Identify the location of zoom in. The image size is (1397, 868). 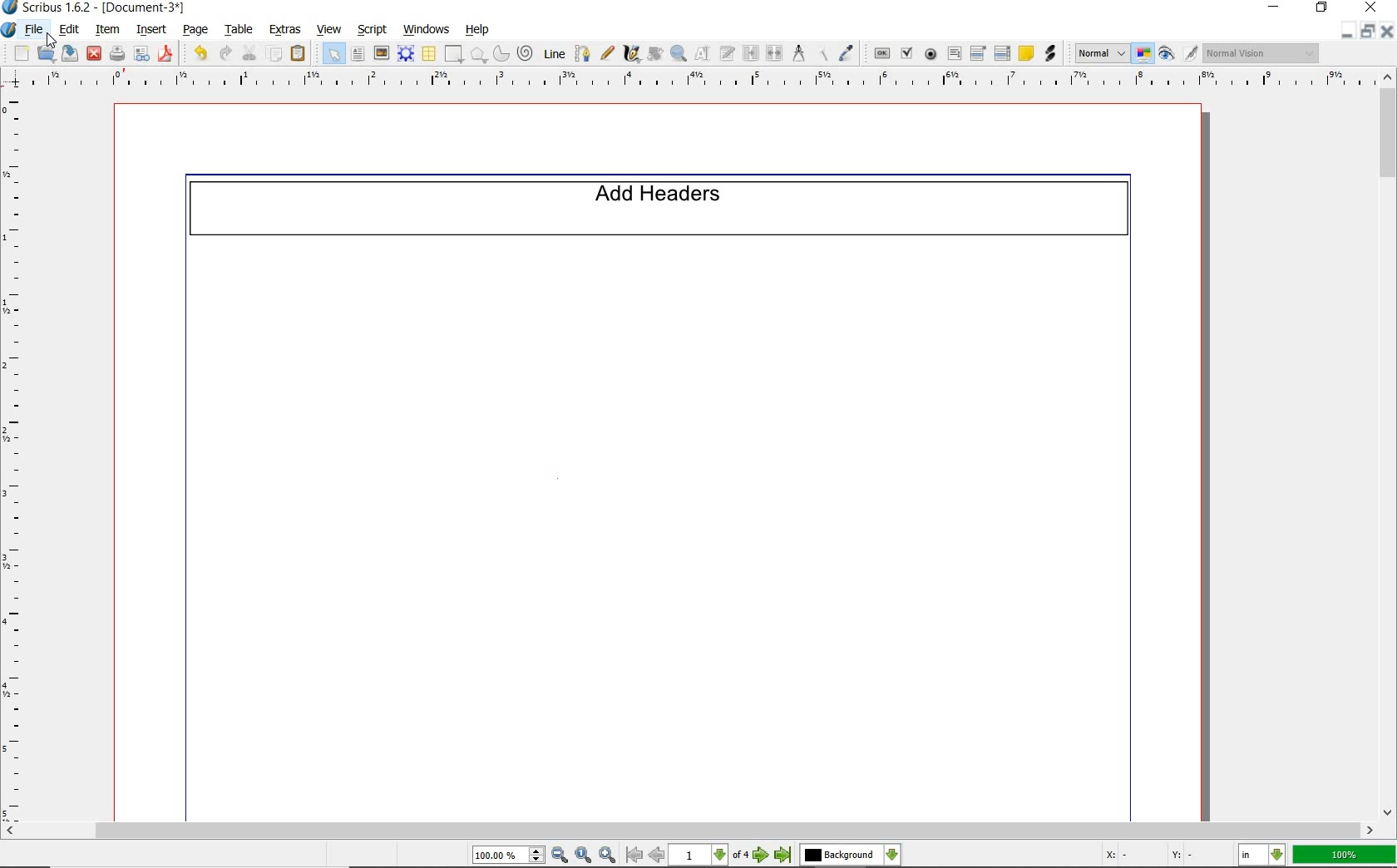
(607, 856).